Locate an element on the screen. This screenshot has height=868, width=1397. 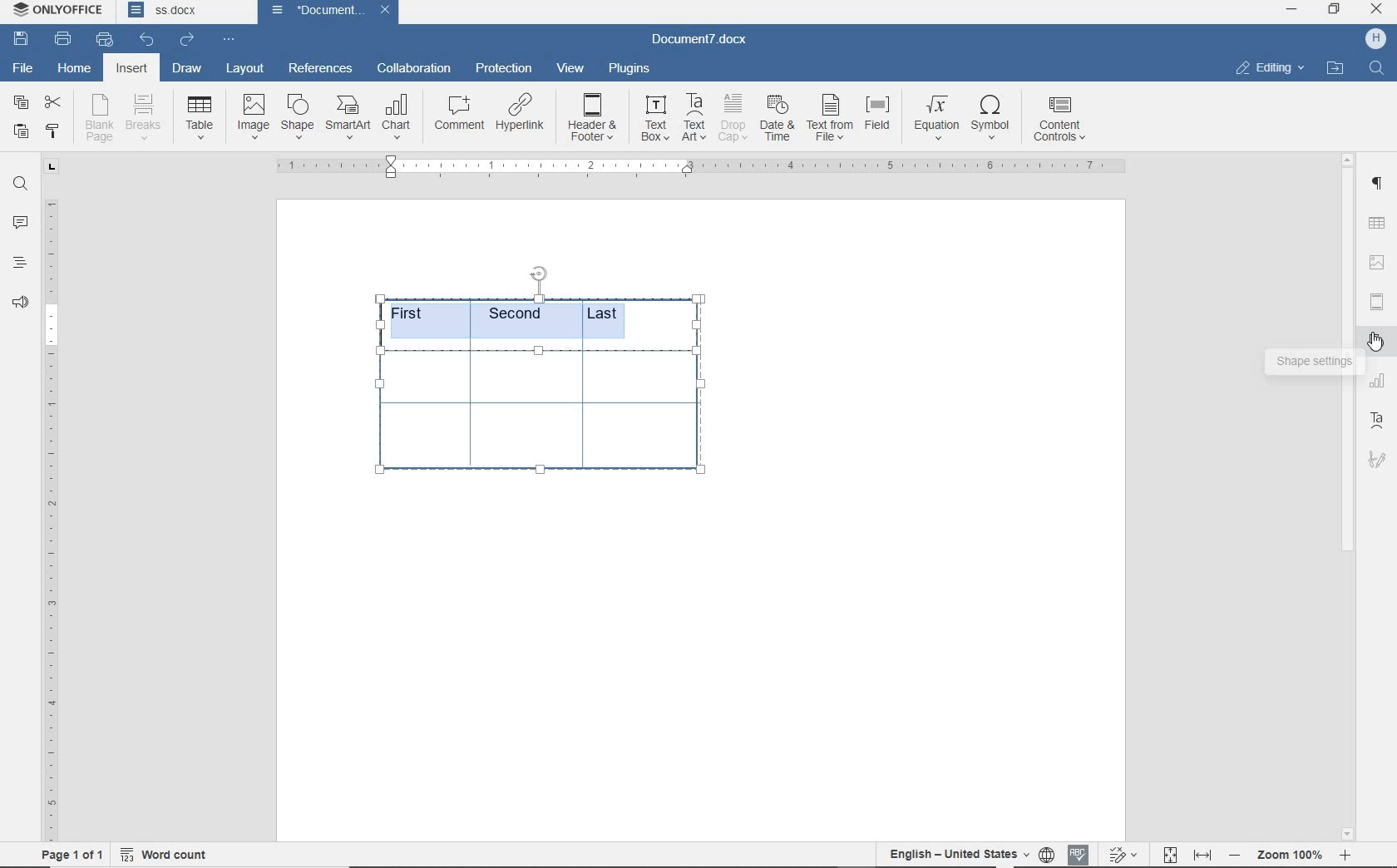
close is located at coordinates (385, 11).